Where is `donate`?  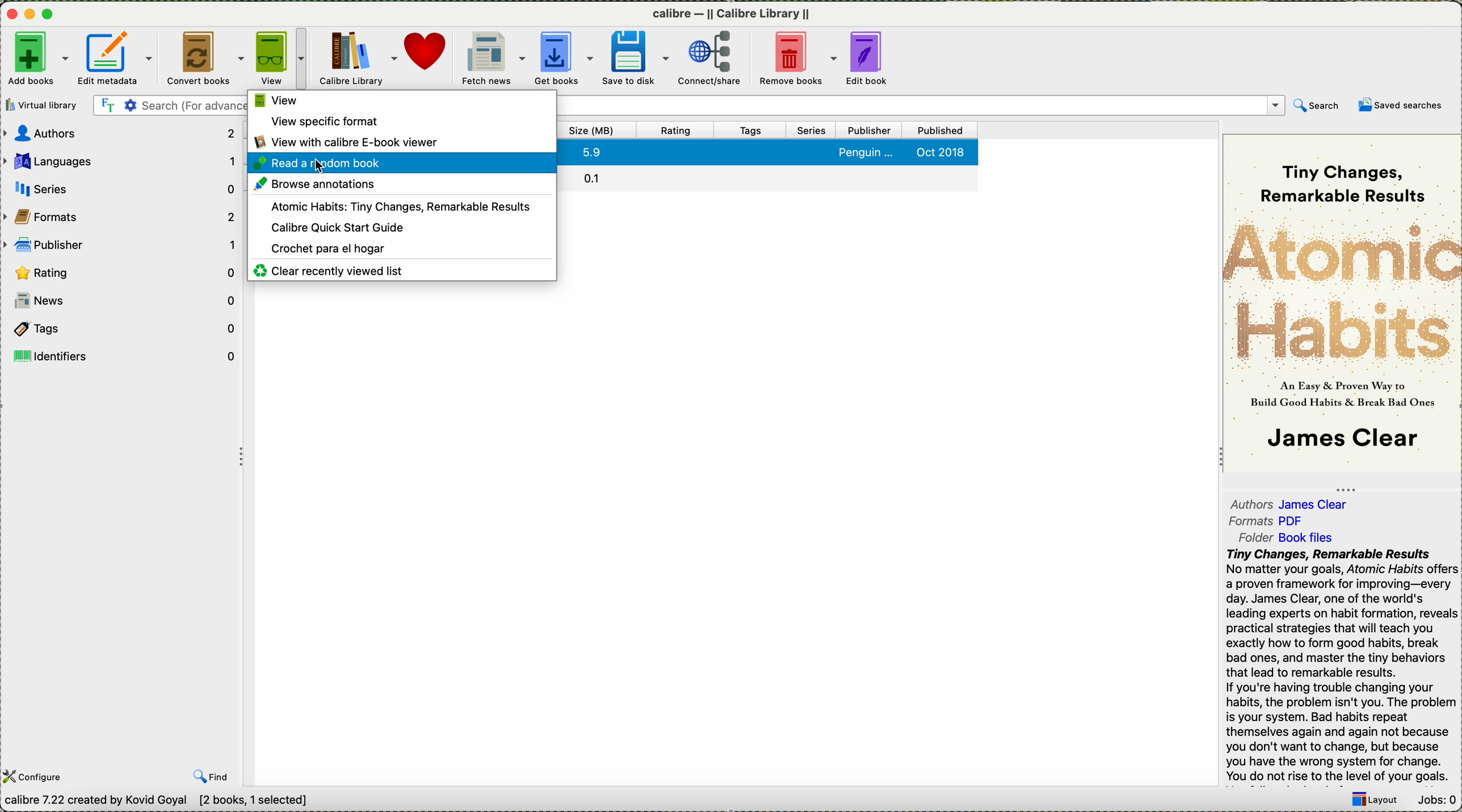 donate is located at coordinates (427, 57).